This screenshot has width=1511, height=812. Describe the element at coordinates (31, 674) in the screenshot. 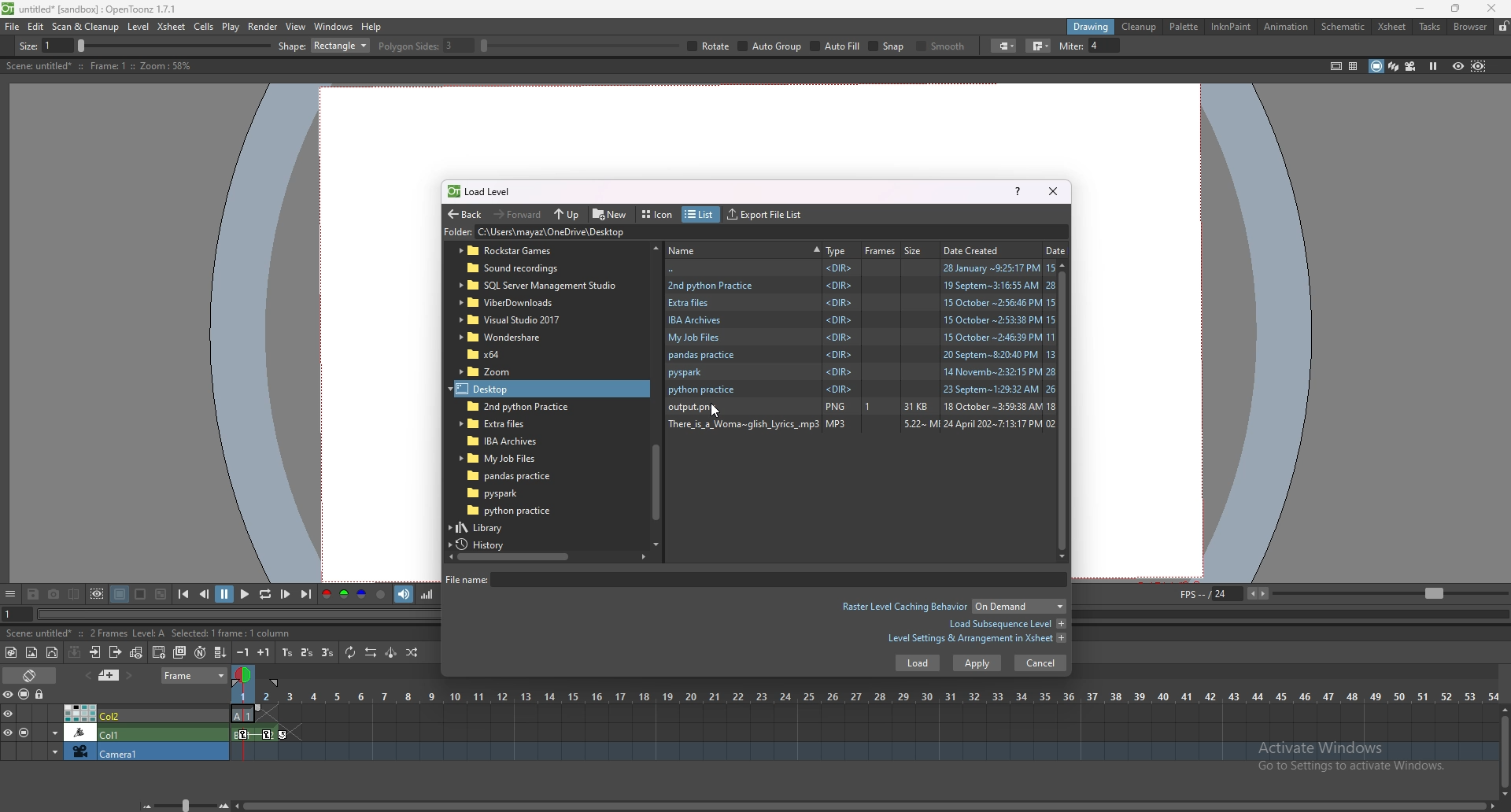

I see `toggle timeline` at that location.